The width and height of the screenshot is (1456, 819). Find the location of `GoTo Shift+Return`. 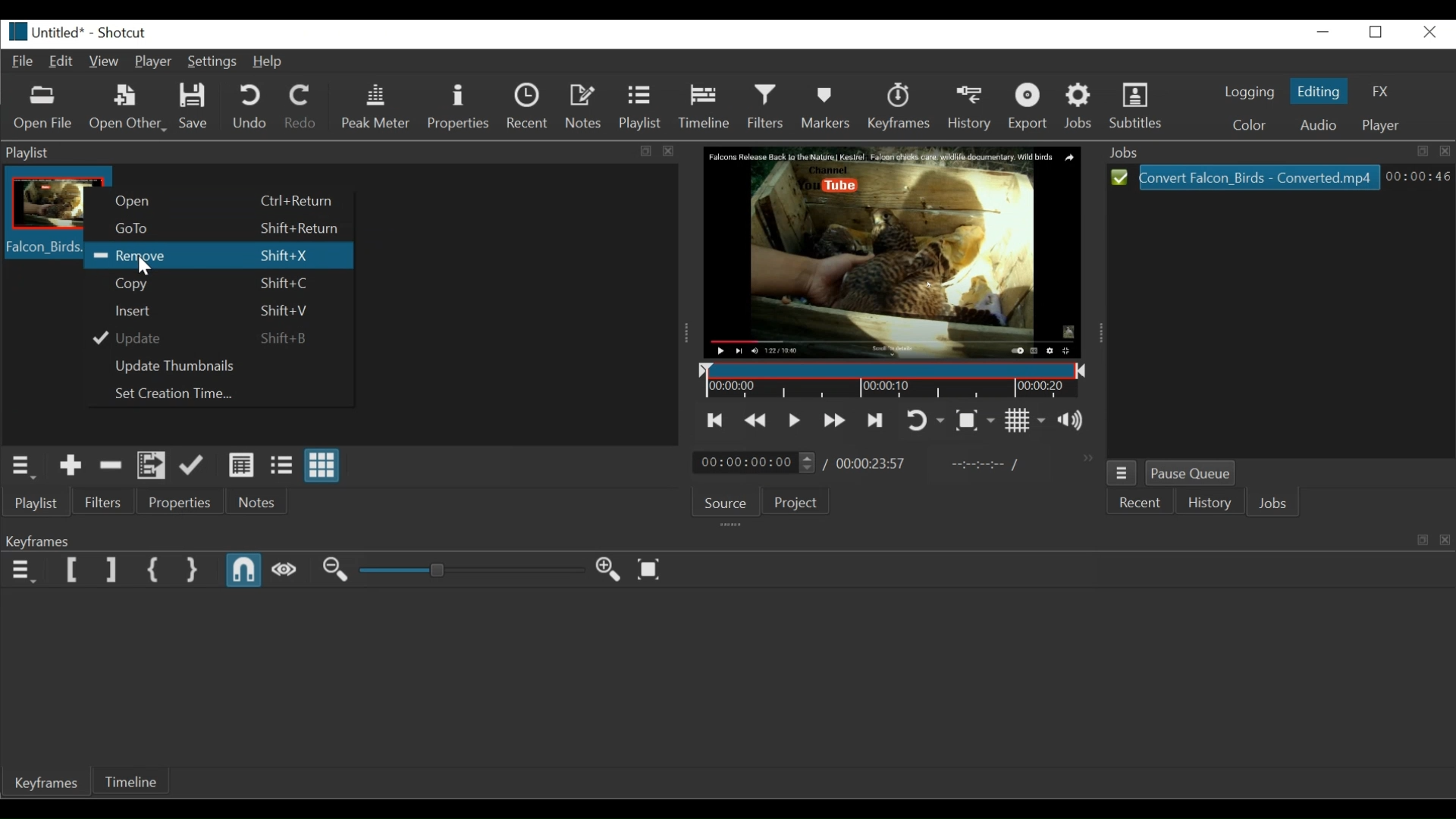

GoTo Shift+Return is located at coordinates (215, 229).